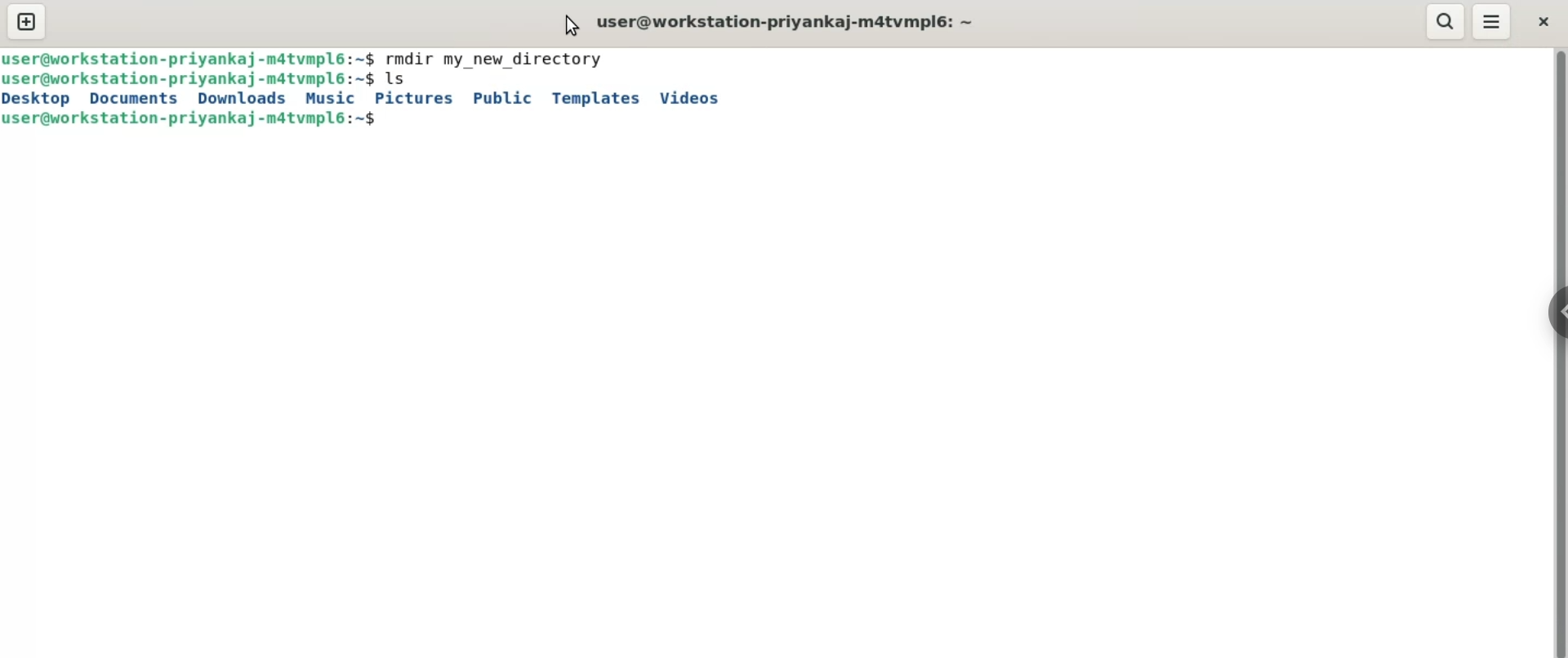  Describe the element at coordinates (415, 78) in the screenshot. I see `ls` at that location.